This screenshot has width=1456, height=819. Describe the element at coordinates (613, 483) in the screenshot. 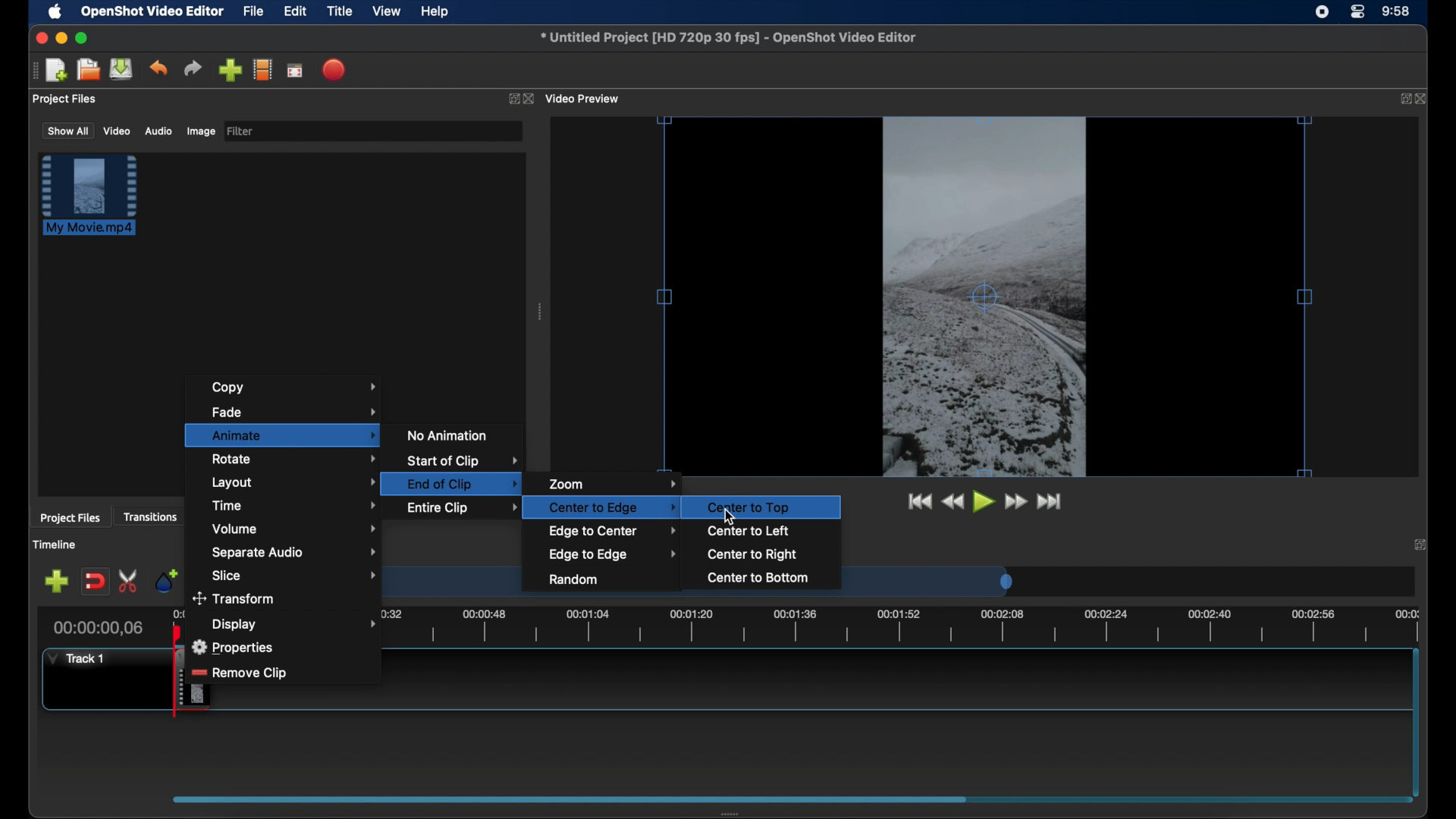

I see `zoom menu` at that location.